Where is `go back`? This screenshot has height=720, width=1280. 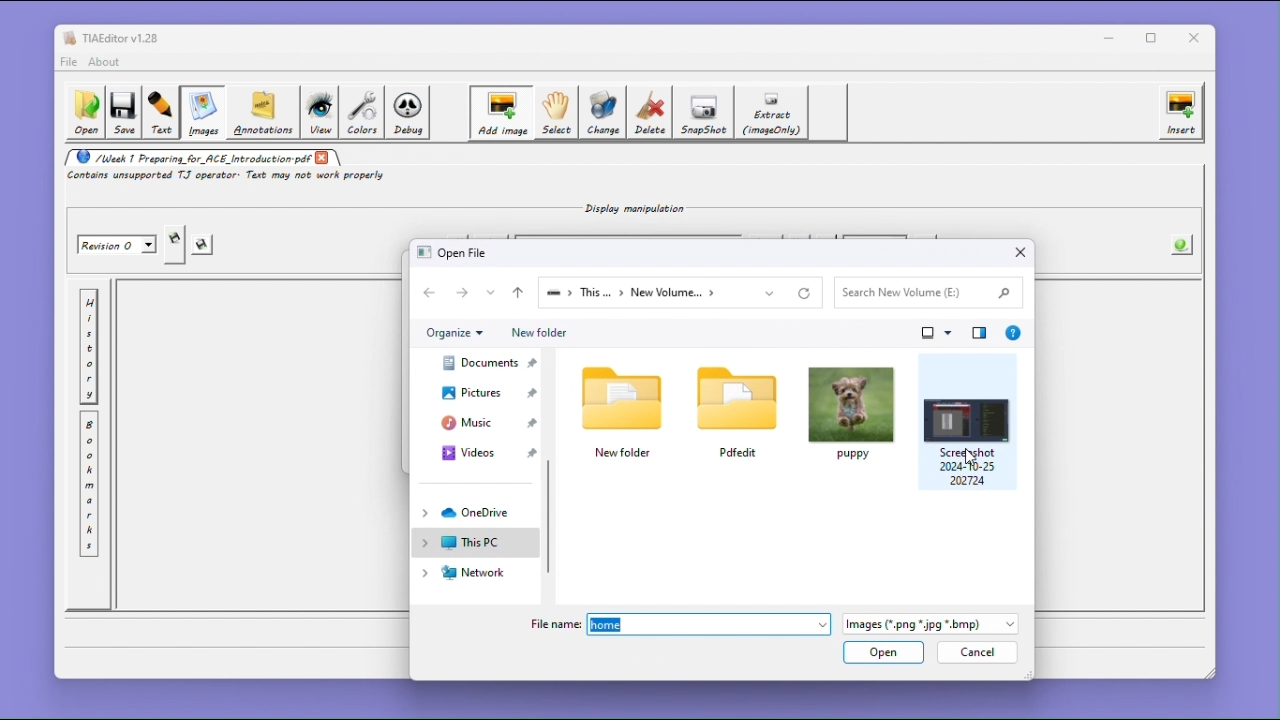 go back is located at coordinates (432, 293).